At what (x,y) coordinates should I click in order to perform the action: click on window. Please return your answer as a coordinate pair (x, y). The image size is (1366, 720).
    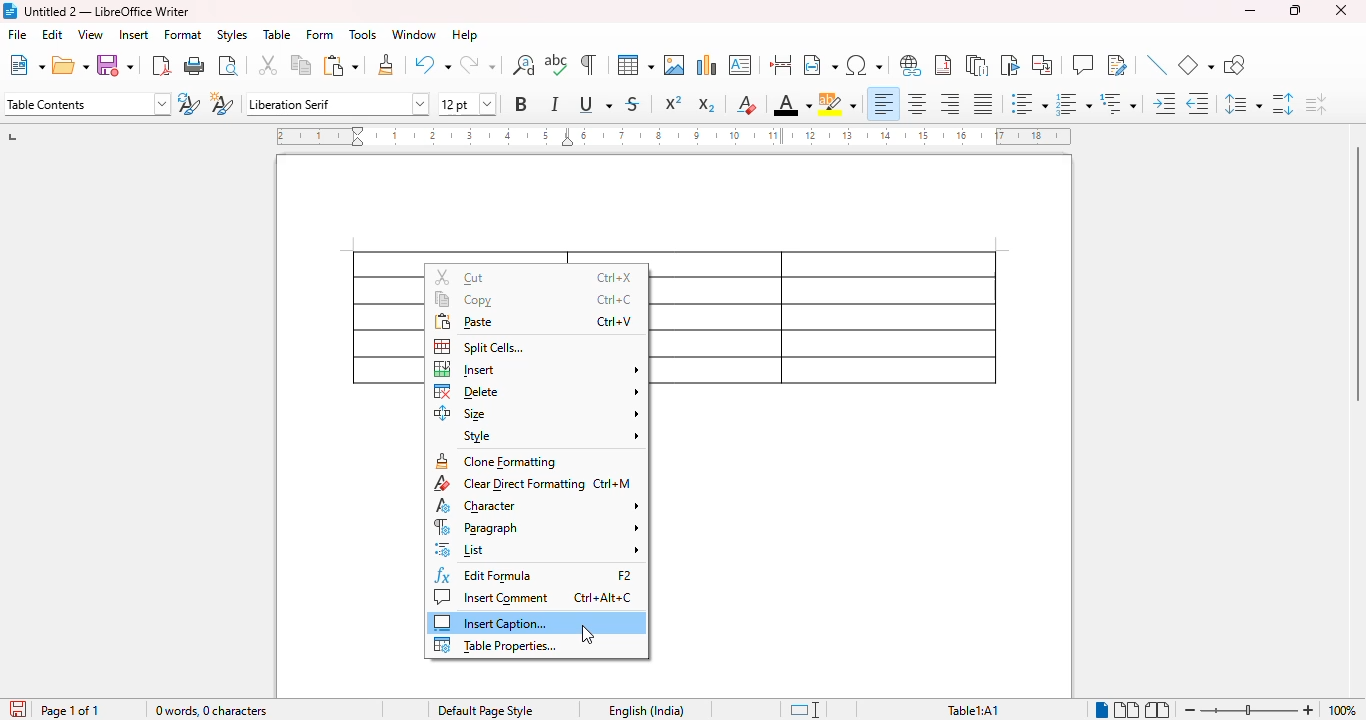
    Looking at the image, I should click on (414, 34).